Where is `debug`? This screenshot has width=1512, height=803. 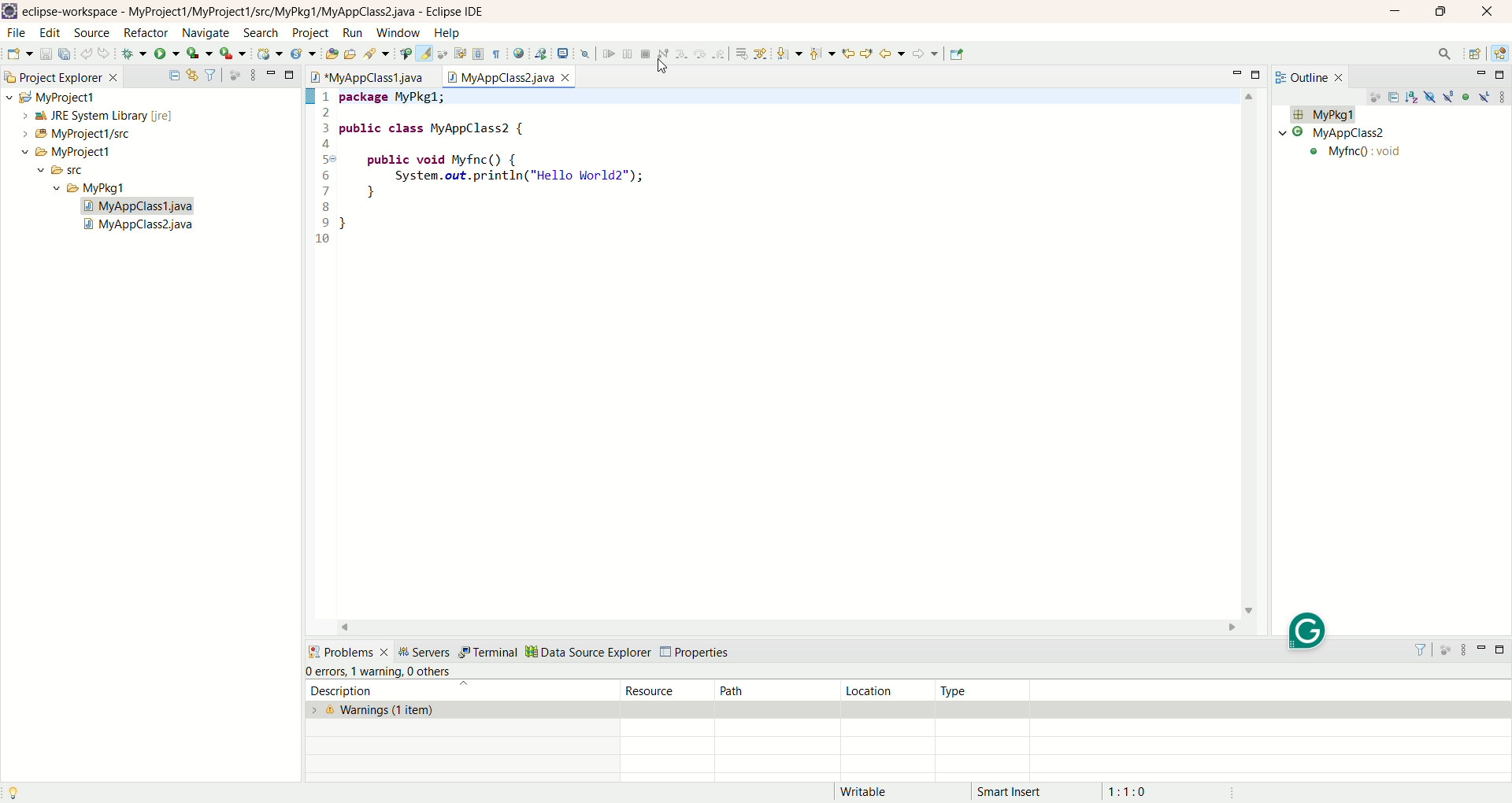
debug is located at coordinates (135, 56).